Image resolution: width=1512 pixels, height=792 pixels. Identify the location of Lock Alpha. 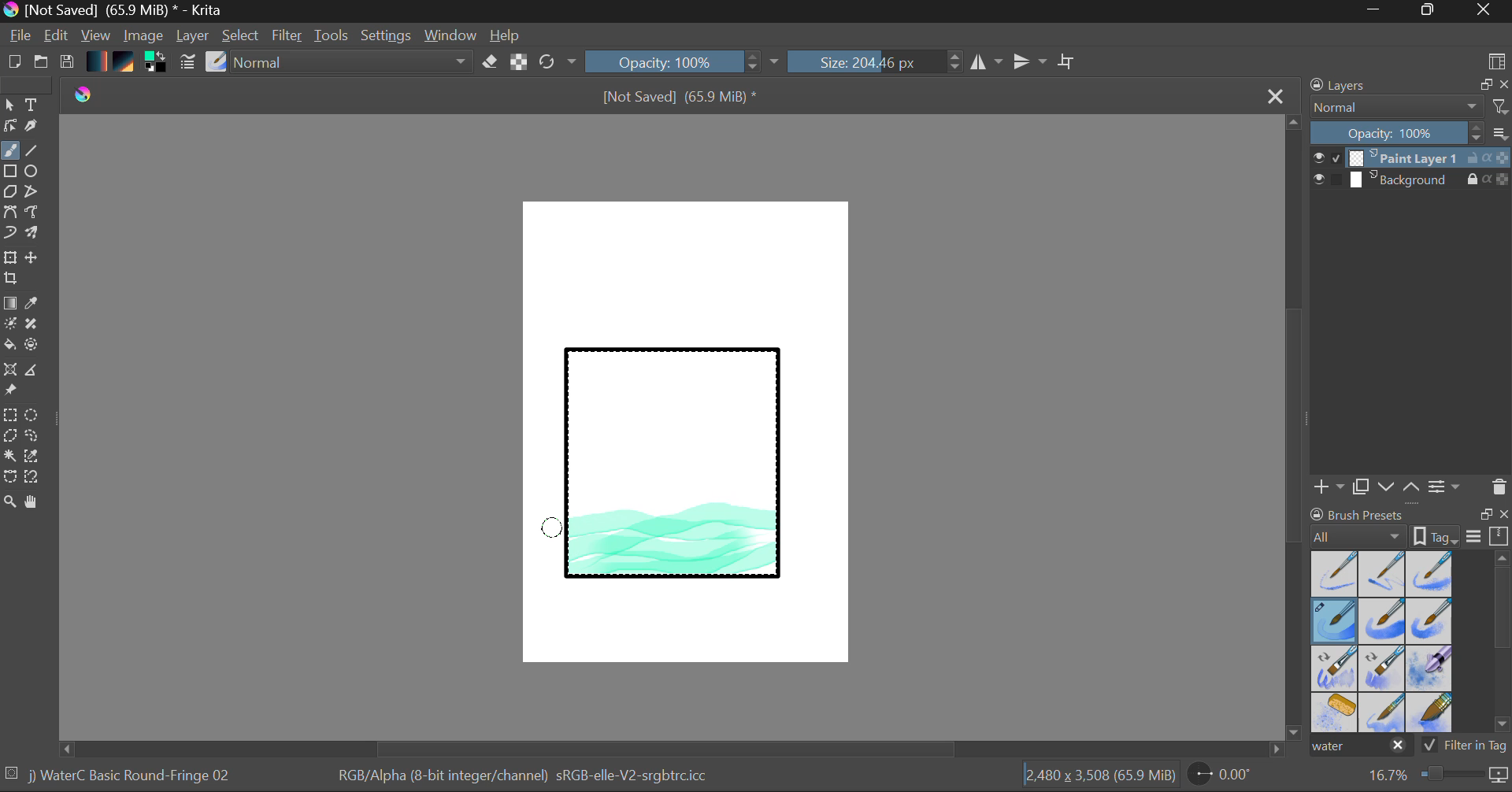
(517, 63).